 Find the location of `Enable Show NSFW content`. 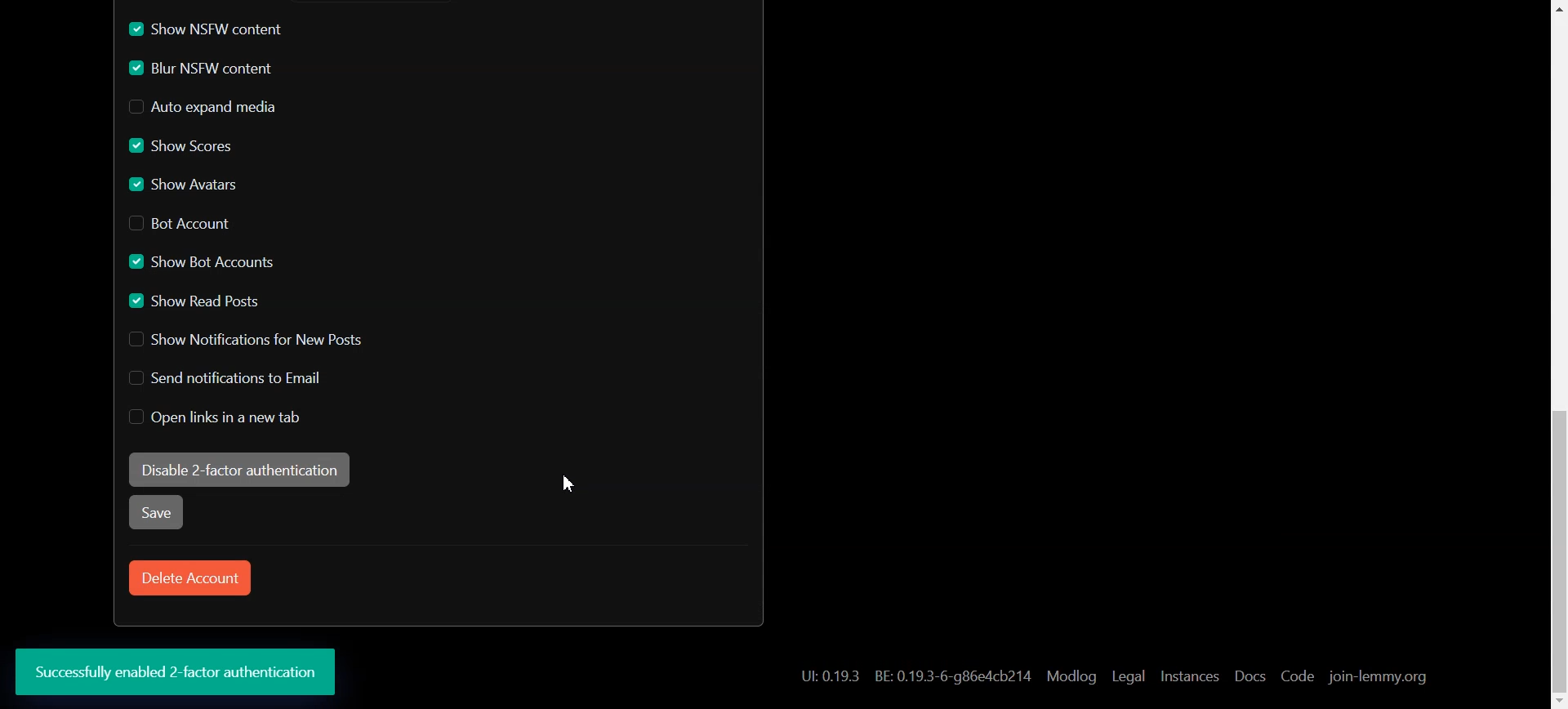

Enable Show NSFW content is located at coordinates (229, 29).